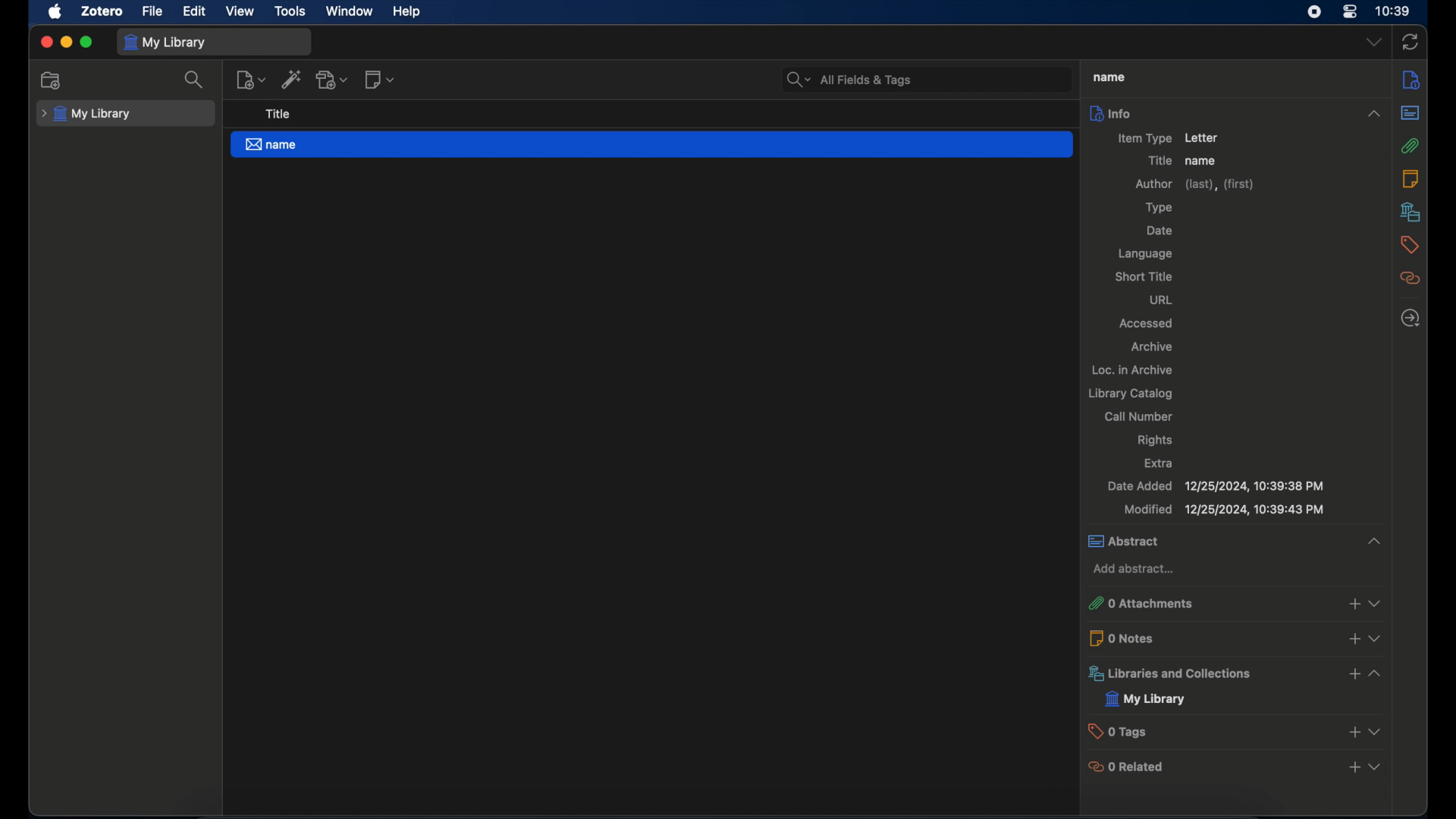  What do you see at coordinates (1353, 767) in the screenshot?
I see `add` at bounding box center [1353, 767].